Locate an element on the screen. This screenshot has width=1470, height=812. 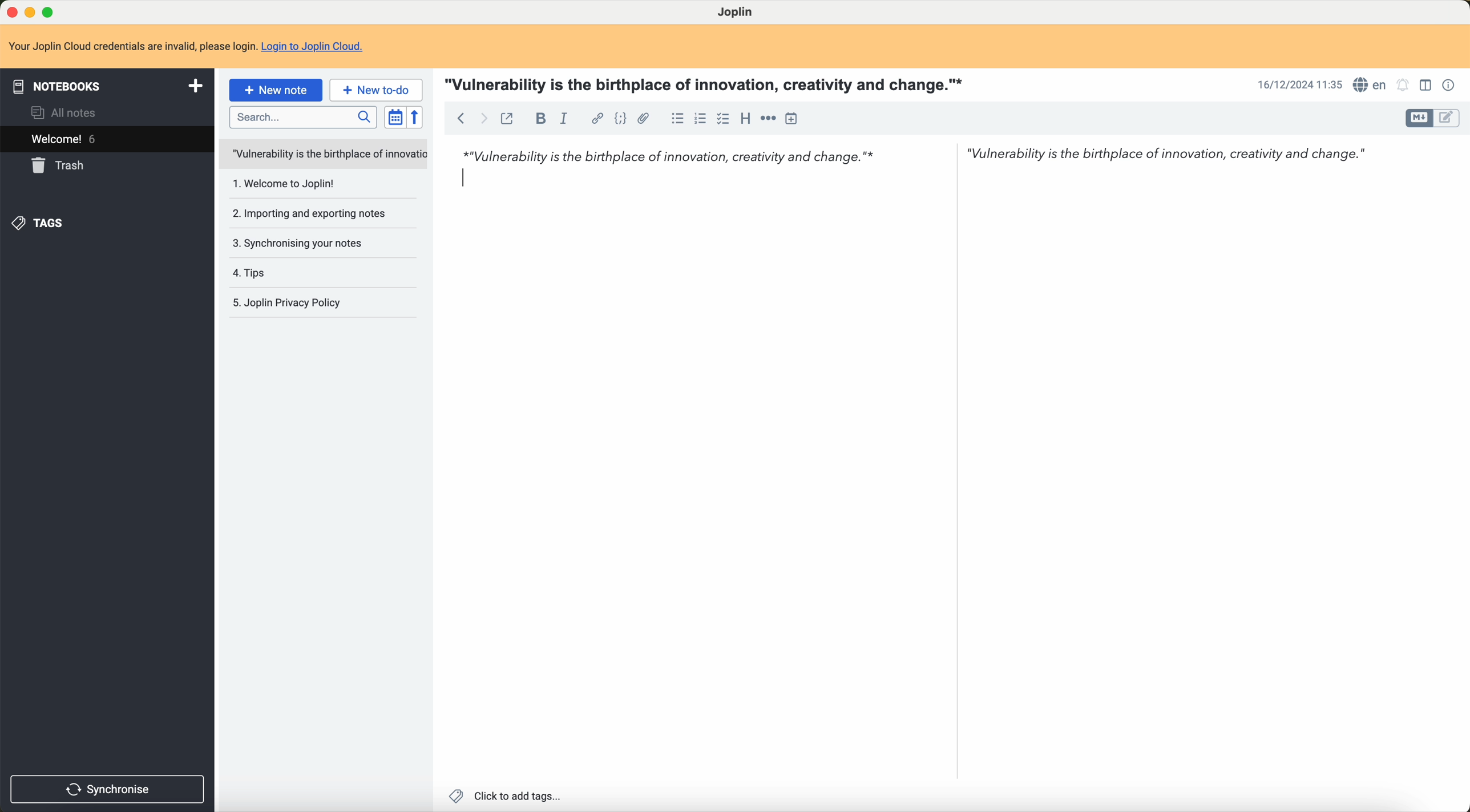
heading is located at coordinates (743, 119).